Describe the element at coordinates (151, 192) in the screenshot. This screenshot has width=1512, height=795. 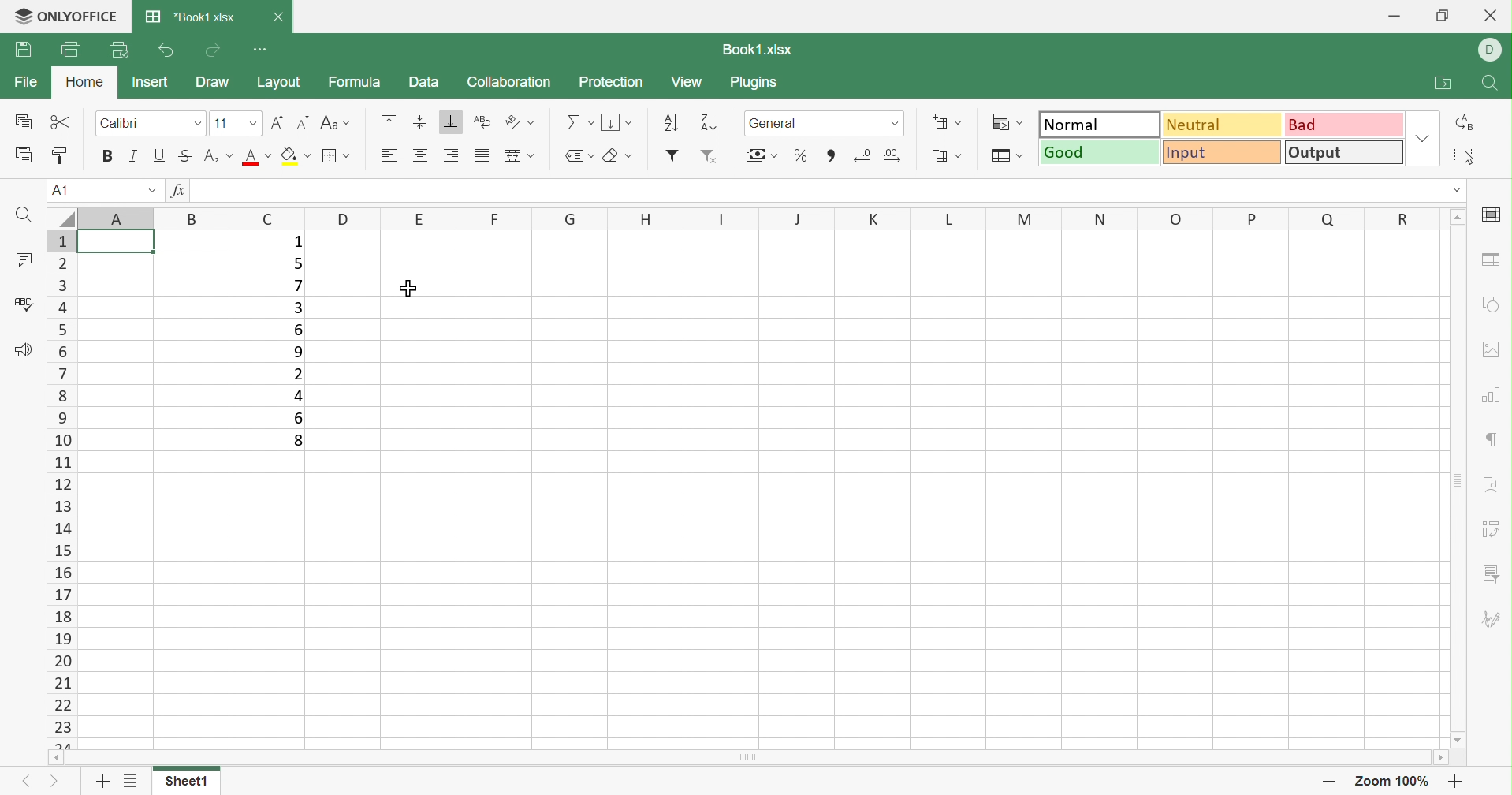
I see `Drop Down` at that location.